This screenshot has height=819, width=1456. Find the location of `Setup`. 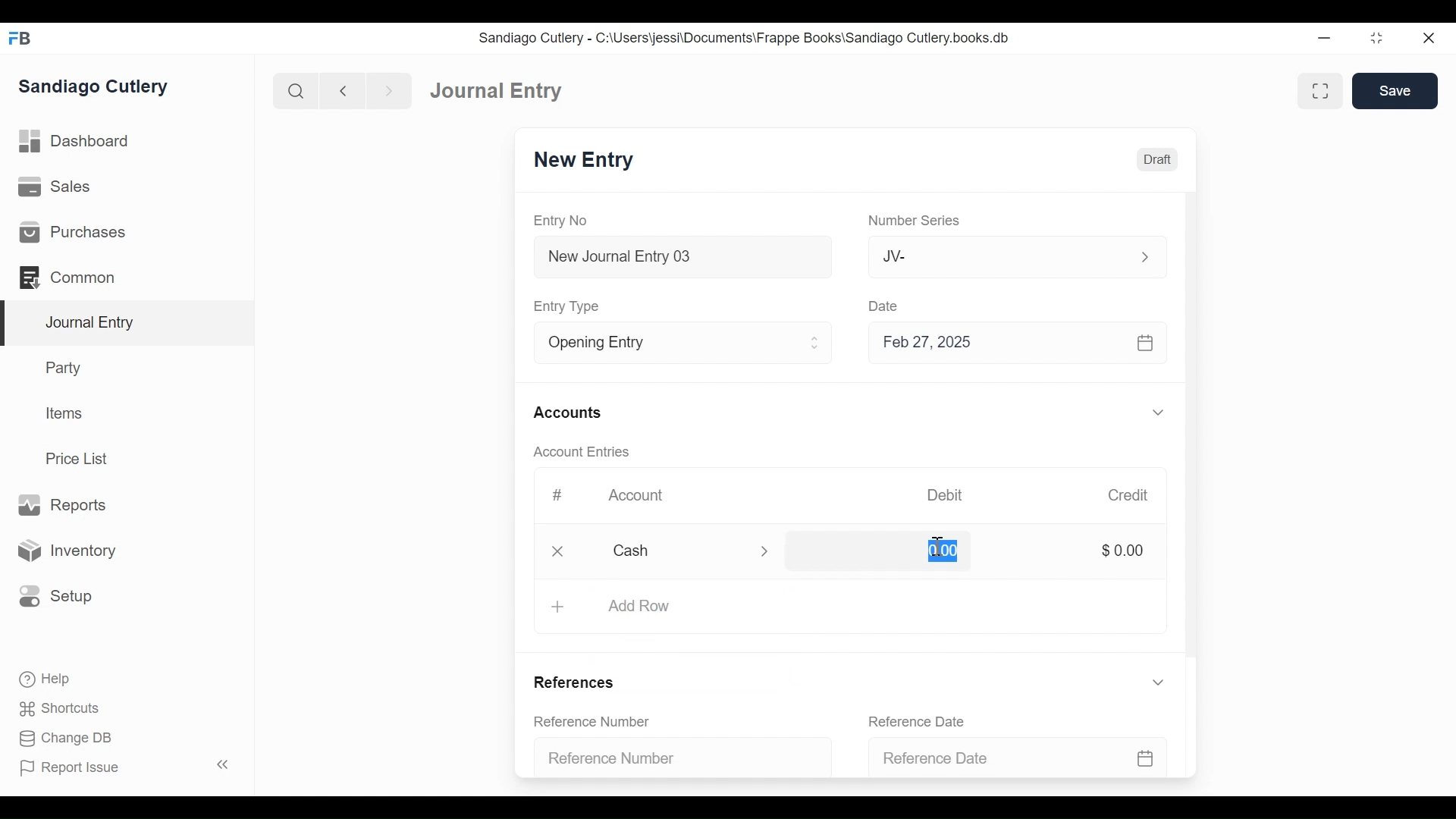

Setup is located at coordinates (56, 597).